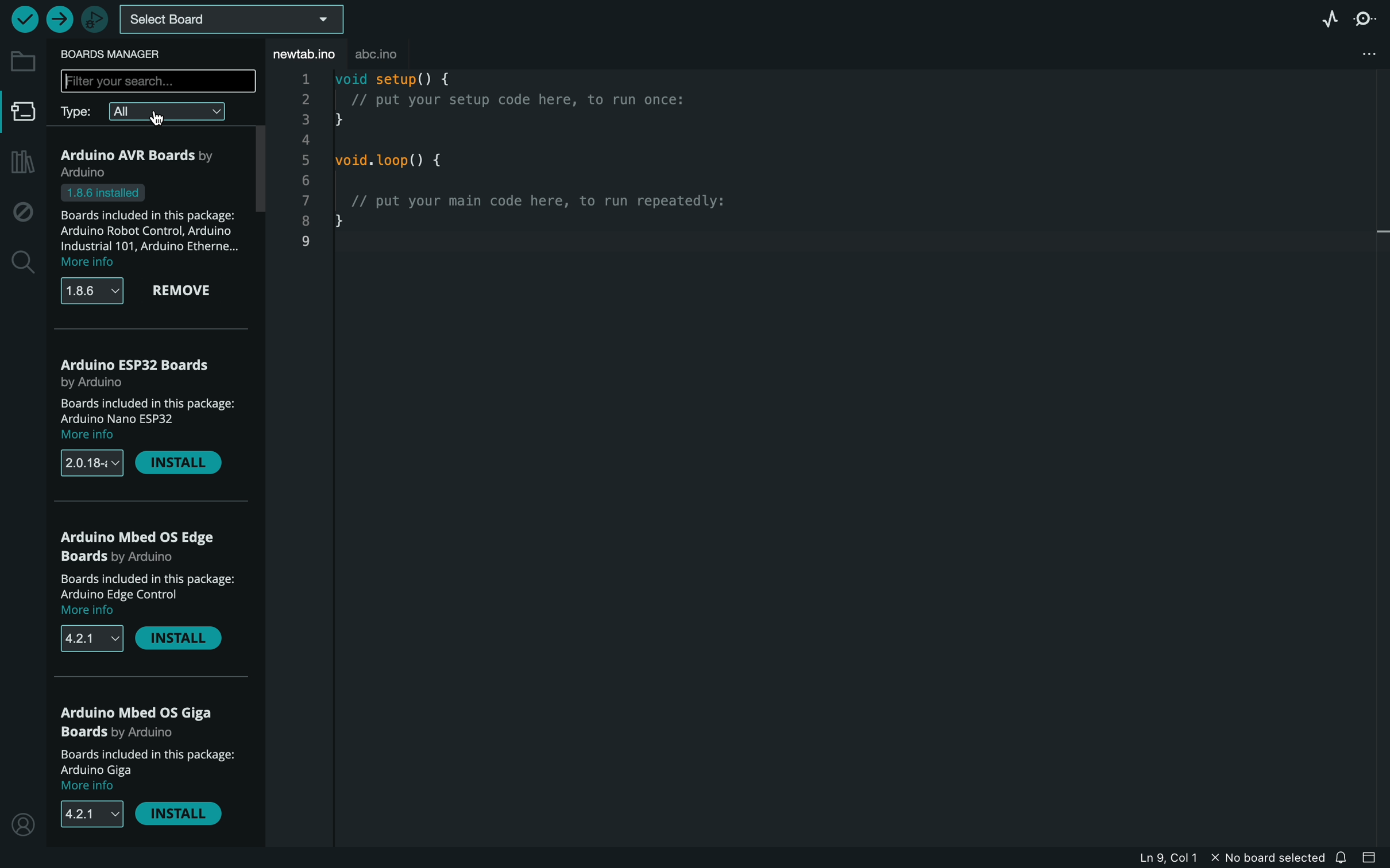 The image size is (1390, 868). Describe the element at coordinates (1343, 857) in the screenshot. I see `notification` at that location.